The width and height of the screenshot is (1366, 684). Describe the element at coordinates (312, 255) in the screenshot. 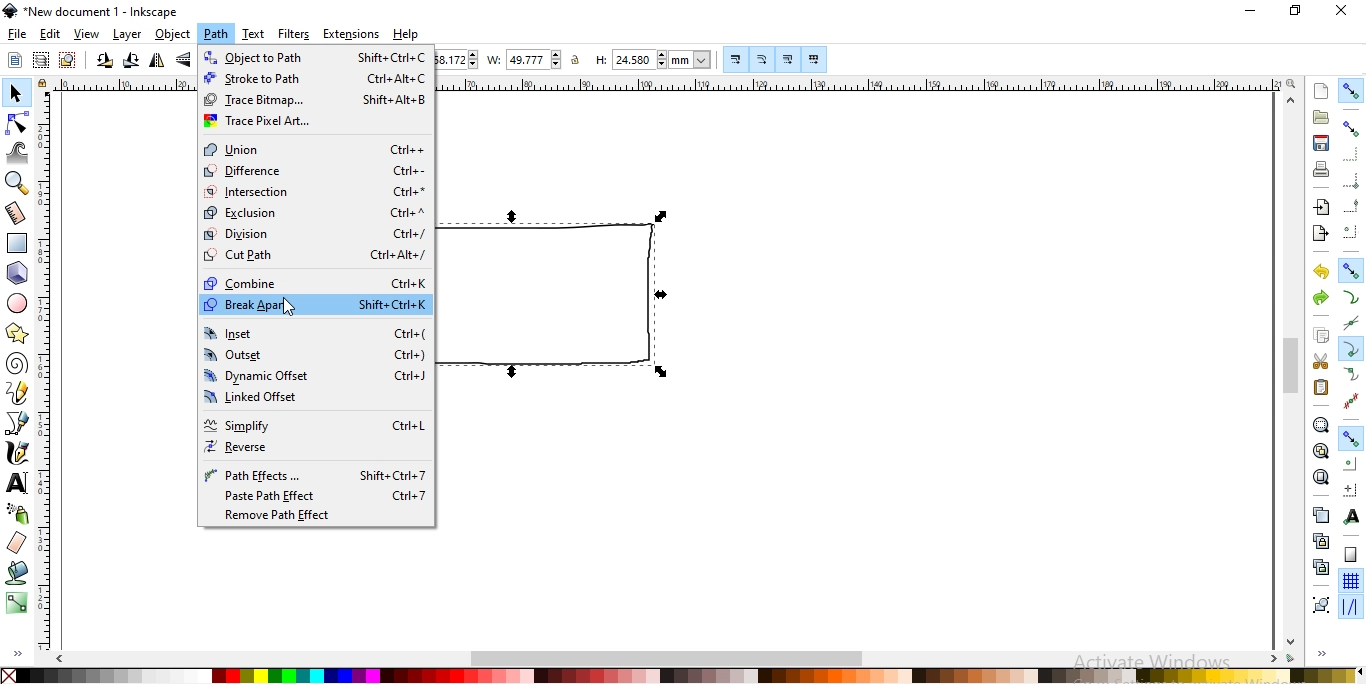

I see `cut path` at that location.